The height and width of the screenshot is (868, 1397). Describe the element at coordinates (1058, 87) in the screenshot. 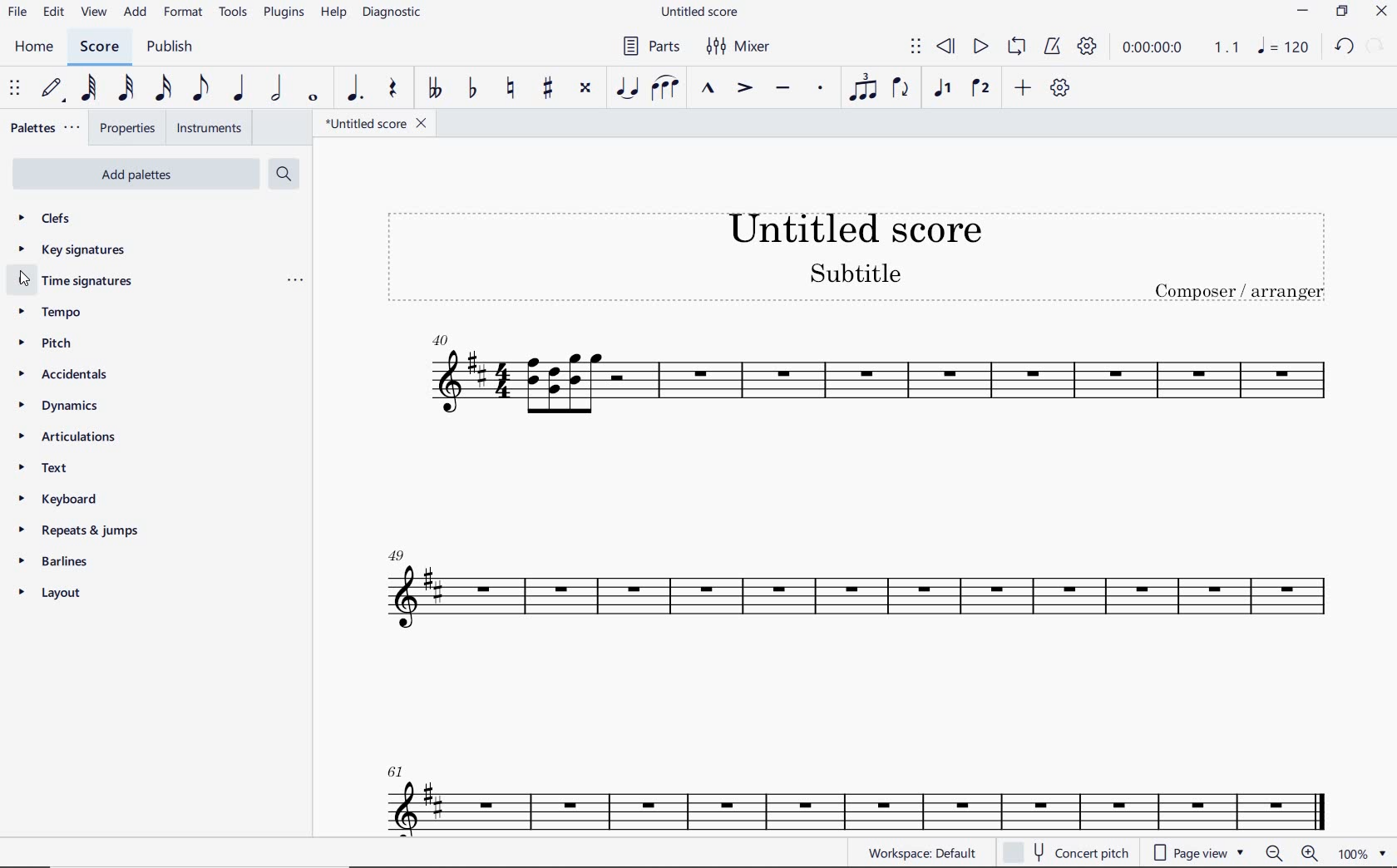

I see `CUSTOMIZE TOOLBAR` at that location.